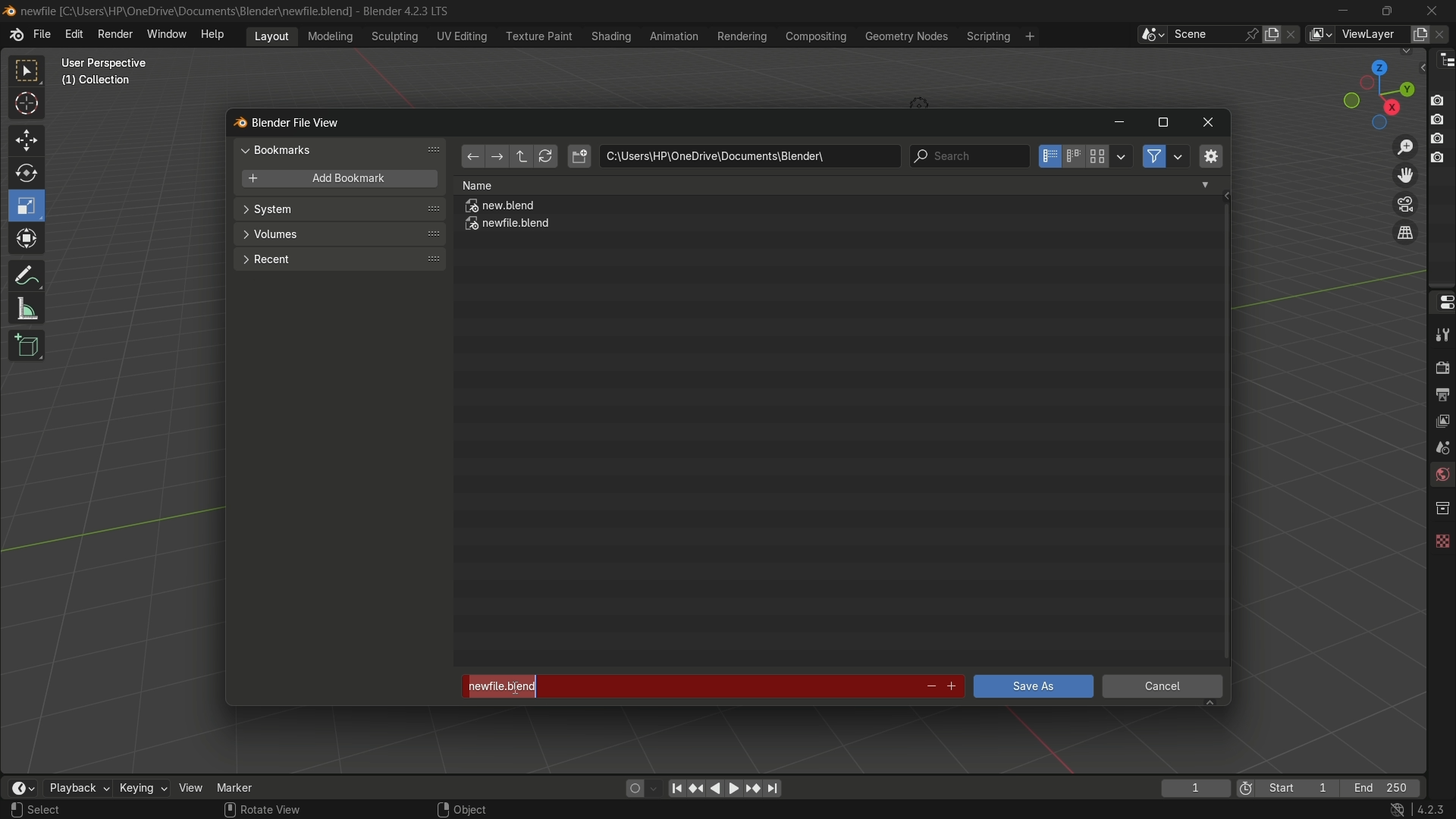  What do you see at coordinates (29, 206) in the screenshot?
I see `scale` at bounding box center [29, 206].